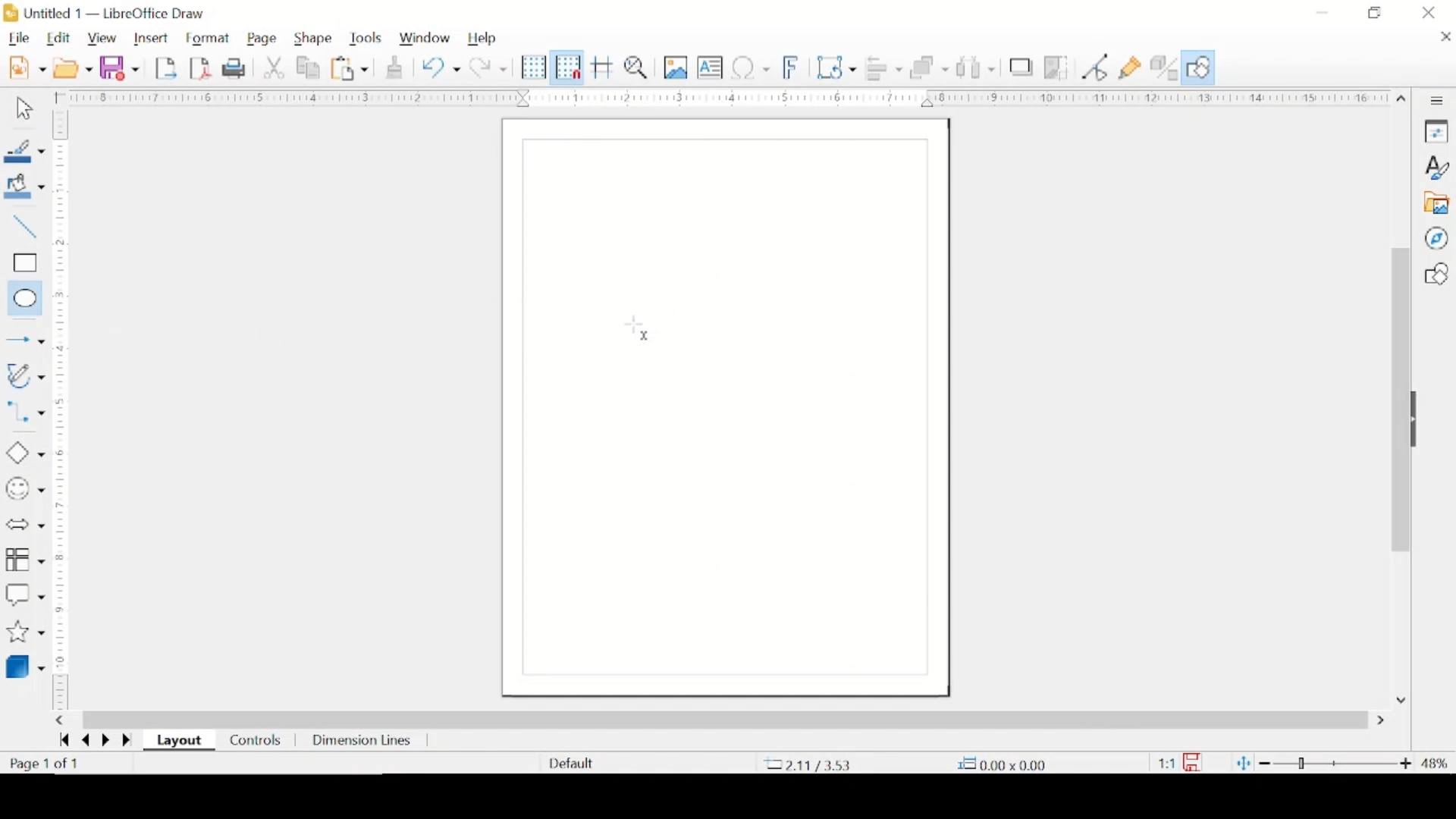 The image size is (1456, 819). What do you see at coordinates (1021, 67) in the screenshot?
I see `shadow` at bounding box center [1021, 67].